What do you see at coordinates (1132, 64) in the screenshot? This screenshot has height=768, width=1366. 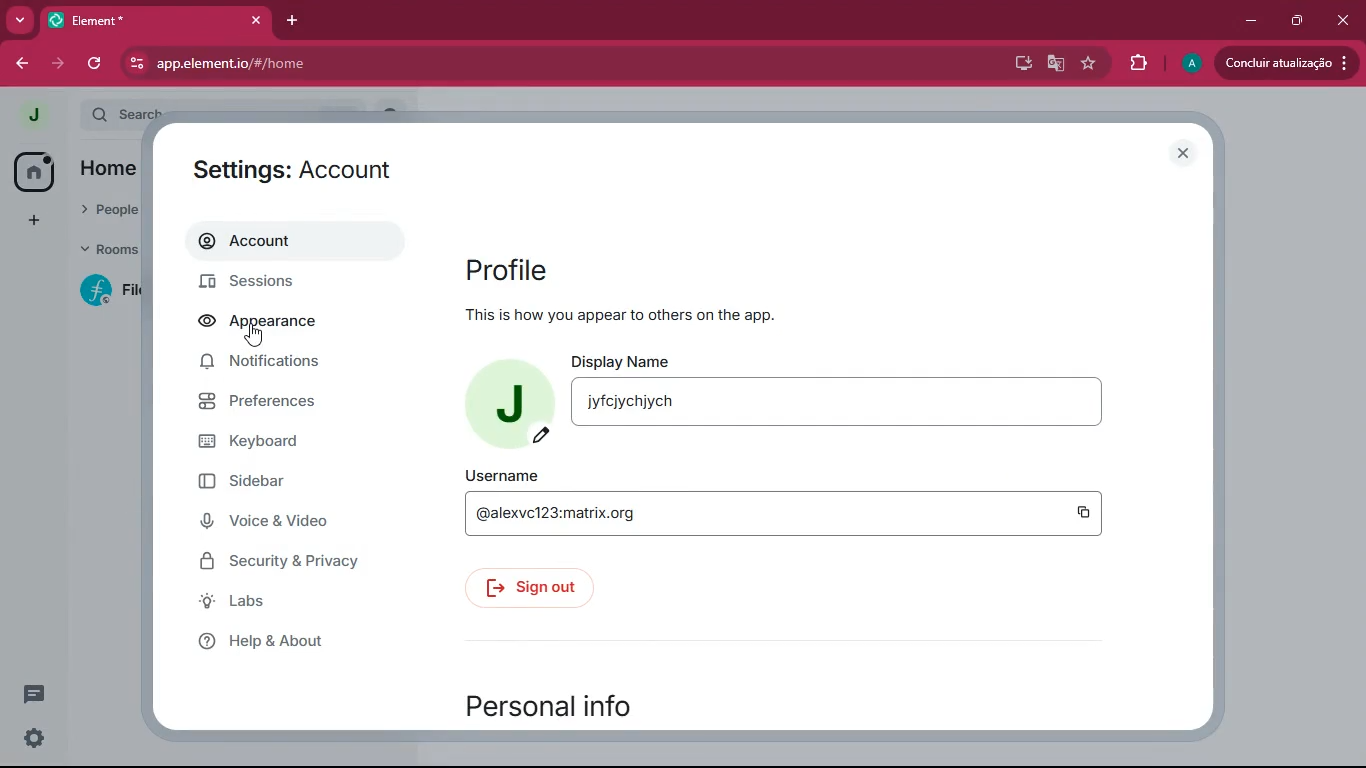 I see `extensions` at bounding box center [1132, 64].